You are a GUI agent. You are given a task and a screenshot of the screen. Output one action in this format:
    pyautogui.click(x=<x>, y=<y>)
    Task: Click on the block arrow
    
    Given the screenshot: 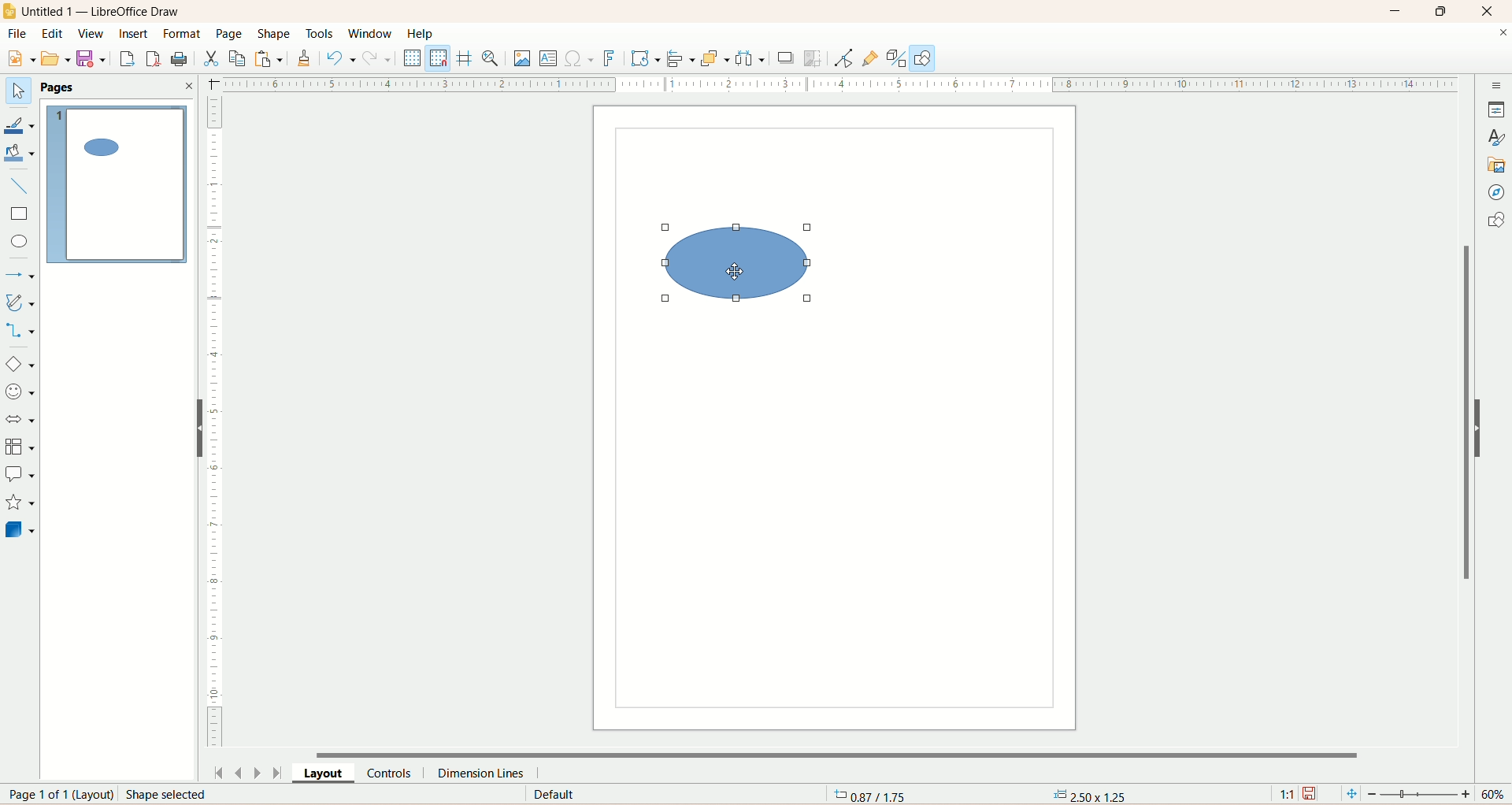 What is the action you would take?
    pyautogui.click(x=19, y=421)
    